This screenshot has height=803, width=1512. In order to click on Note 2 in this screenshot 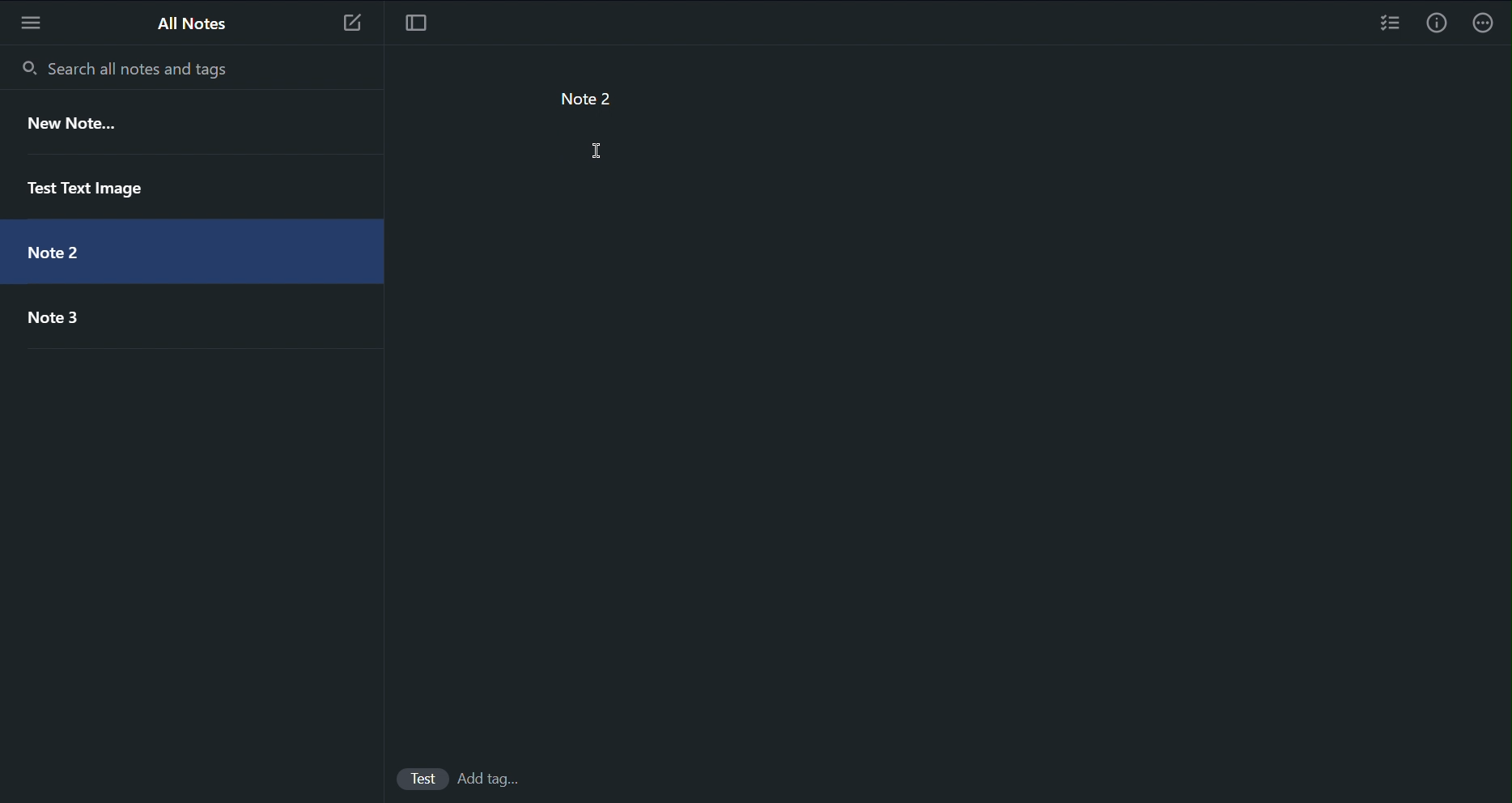, I will do `click(52, 246)`.